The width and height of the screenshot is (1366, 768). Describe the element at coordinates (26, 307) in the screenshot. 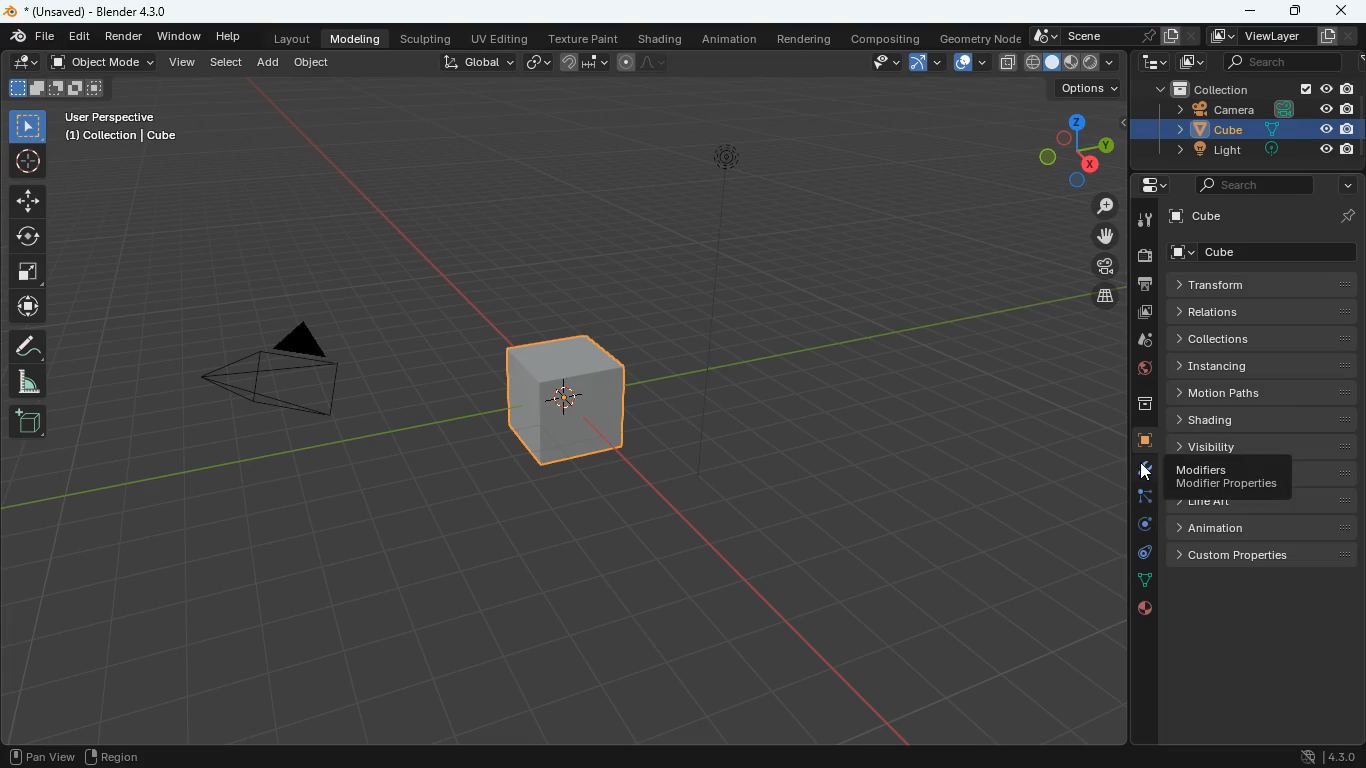

I see `move` at that location.